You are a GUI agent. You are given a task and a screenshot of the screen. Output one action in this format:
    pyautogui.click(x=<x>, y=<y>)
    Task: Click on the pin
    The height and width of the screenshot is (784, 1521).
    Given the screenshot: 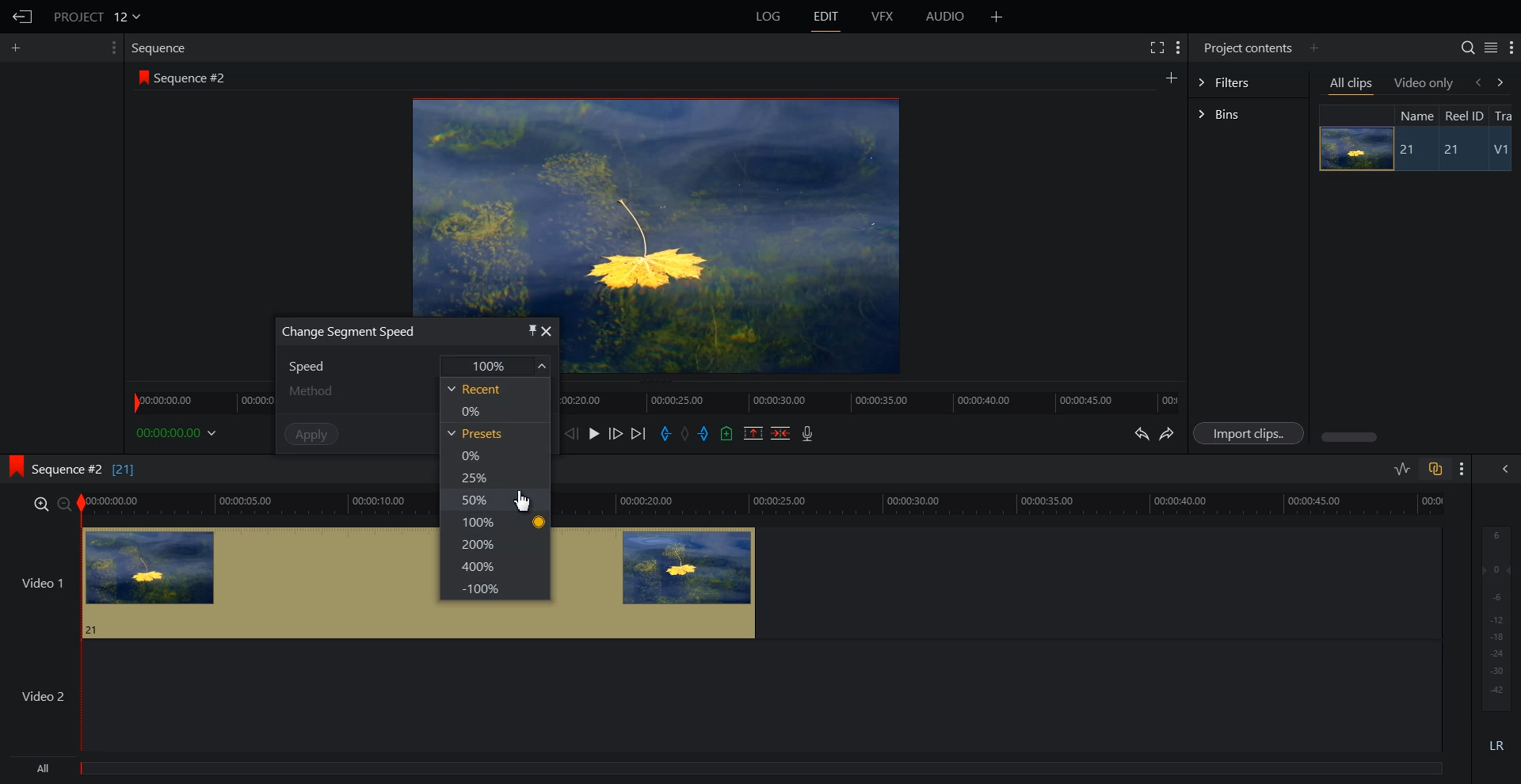 What is the action you would take?
    pyautogui.click(x=528, y=330)
    